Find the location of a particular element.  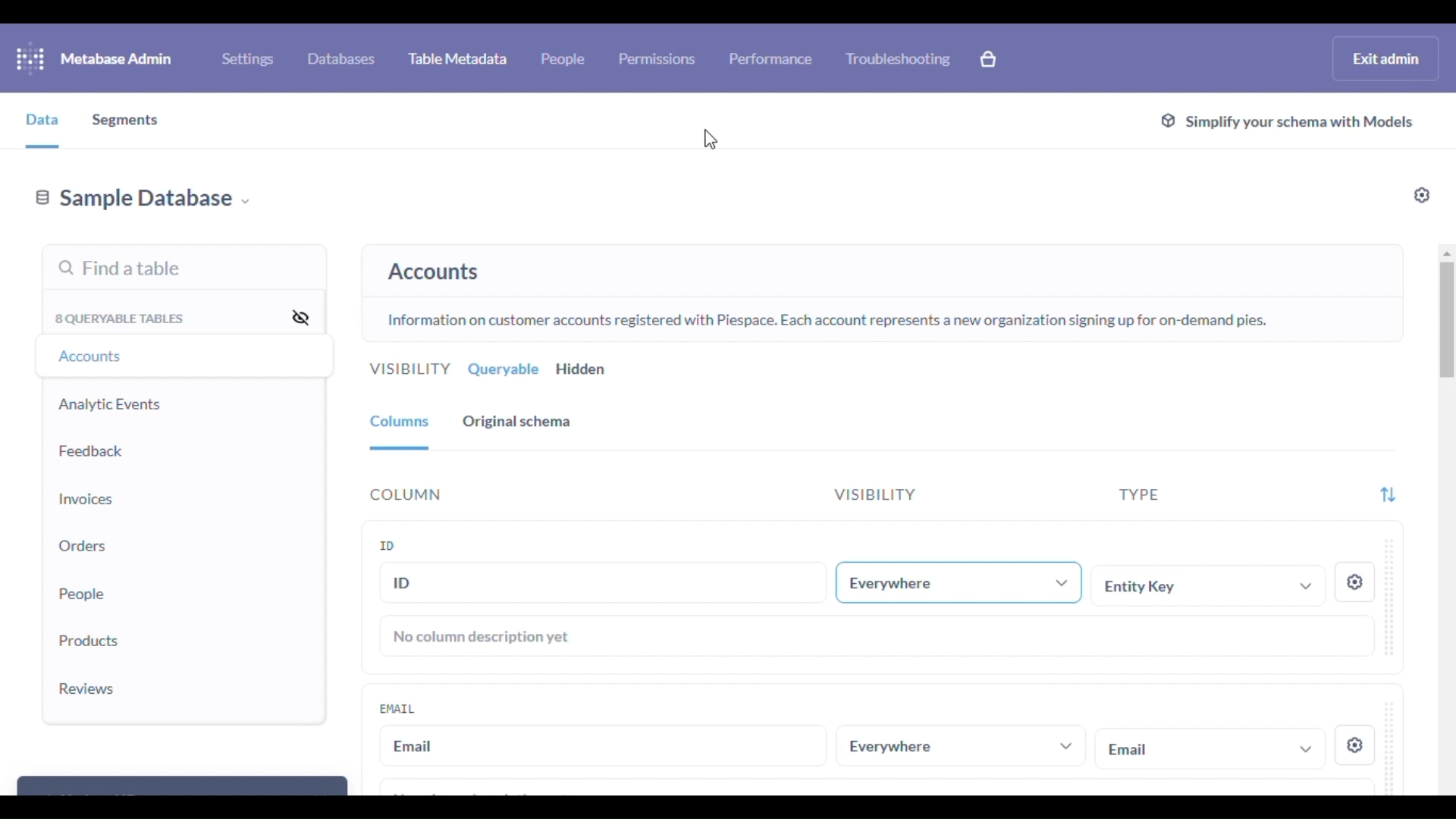

data is located at coordinates (42, 120).